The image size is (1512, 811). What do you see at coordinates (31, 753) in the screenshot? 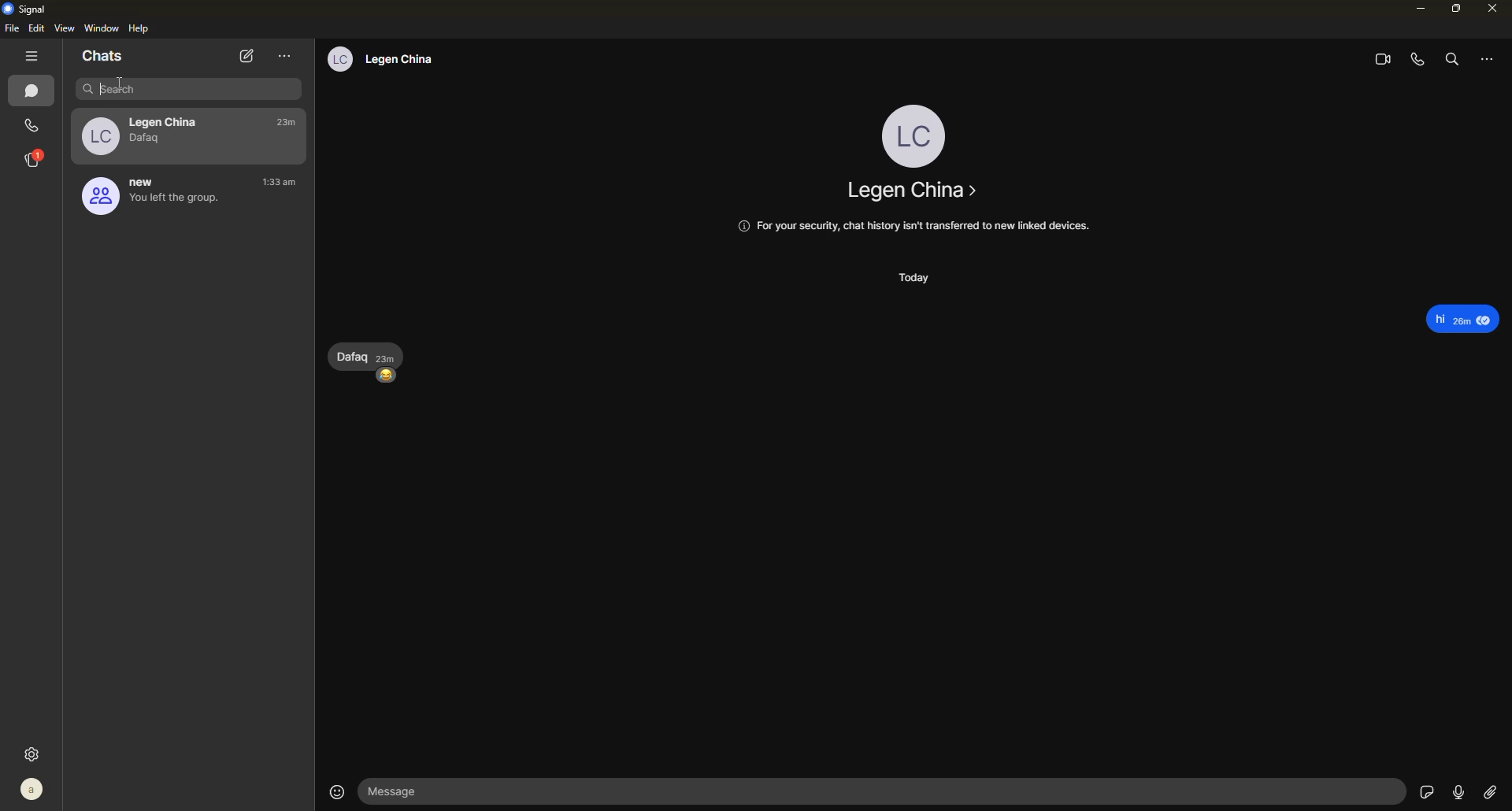
I see `settings` at bounding box center [31, 753].